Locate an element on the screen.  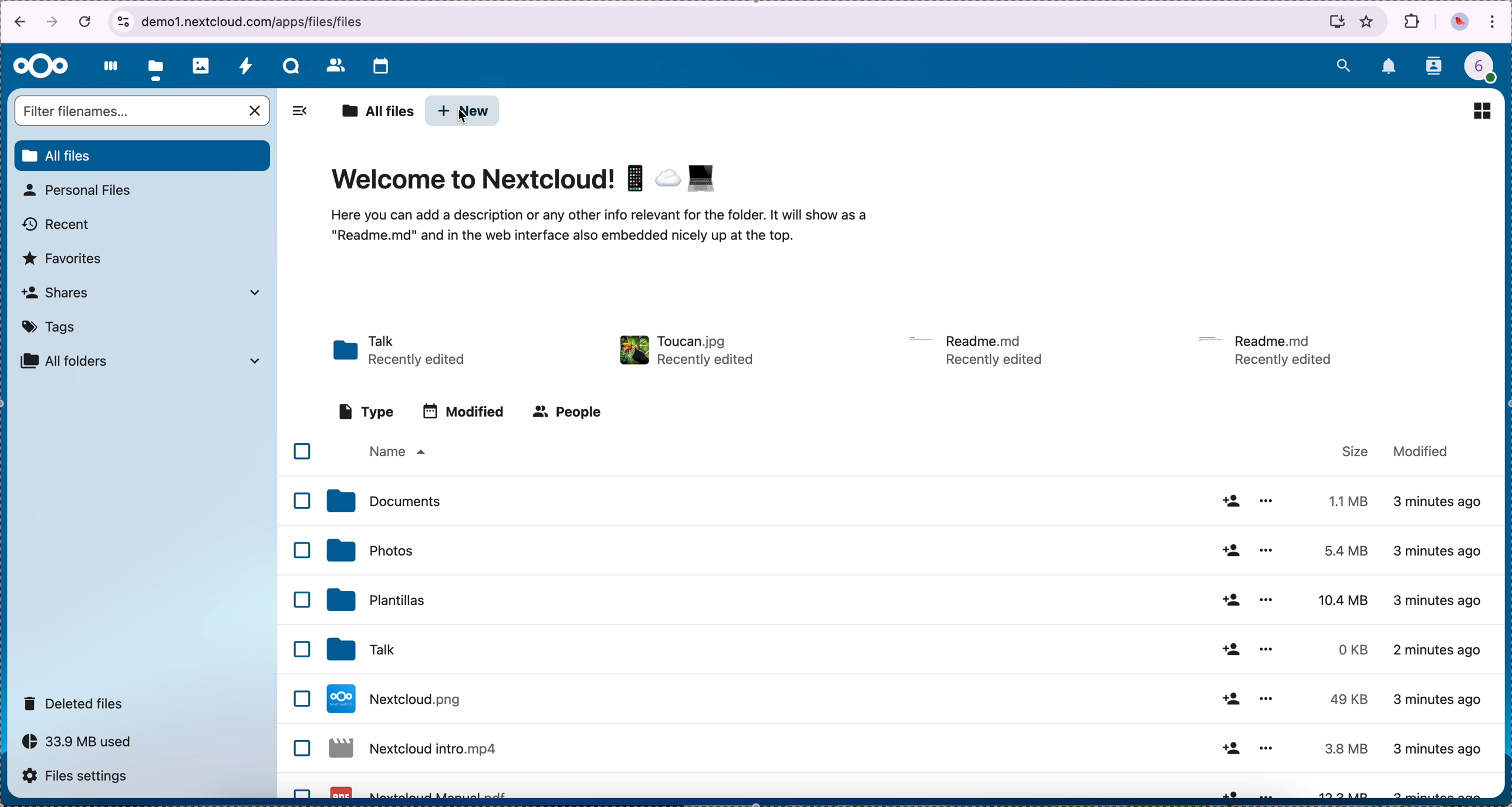
search is located at coordinates (1343, 63).